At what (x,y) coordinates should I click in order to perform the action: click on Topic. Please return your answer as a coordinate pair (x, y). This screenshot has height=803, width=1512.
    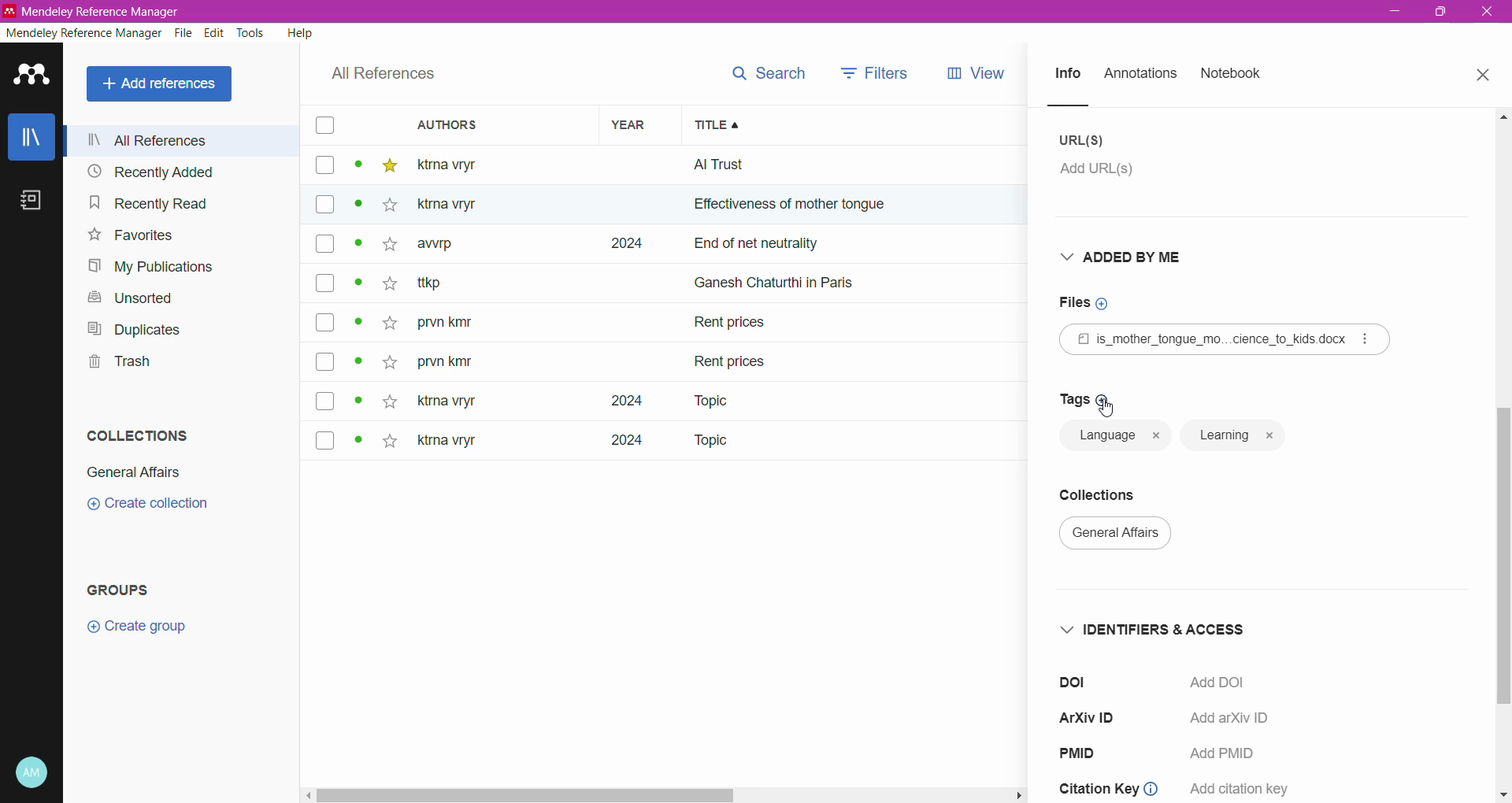
    Looking at the image, I should click on (709, 442).